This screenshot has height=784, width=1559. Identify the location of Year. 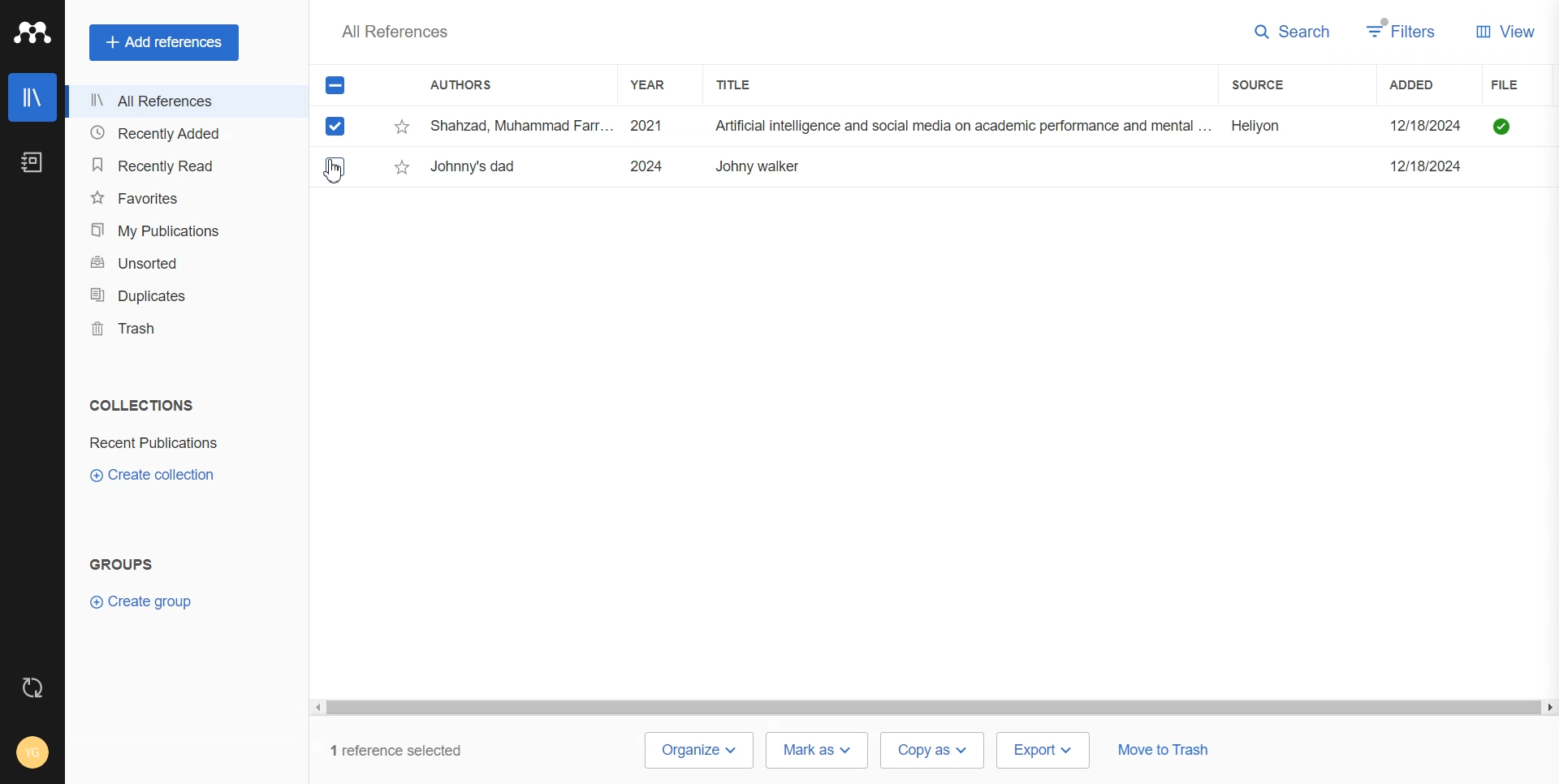
(655, 84).